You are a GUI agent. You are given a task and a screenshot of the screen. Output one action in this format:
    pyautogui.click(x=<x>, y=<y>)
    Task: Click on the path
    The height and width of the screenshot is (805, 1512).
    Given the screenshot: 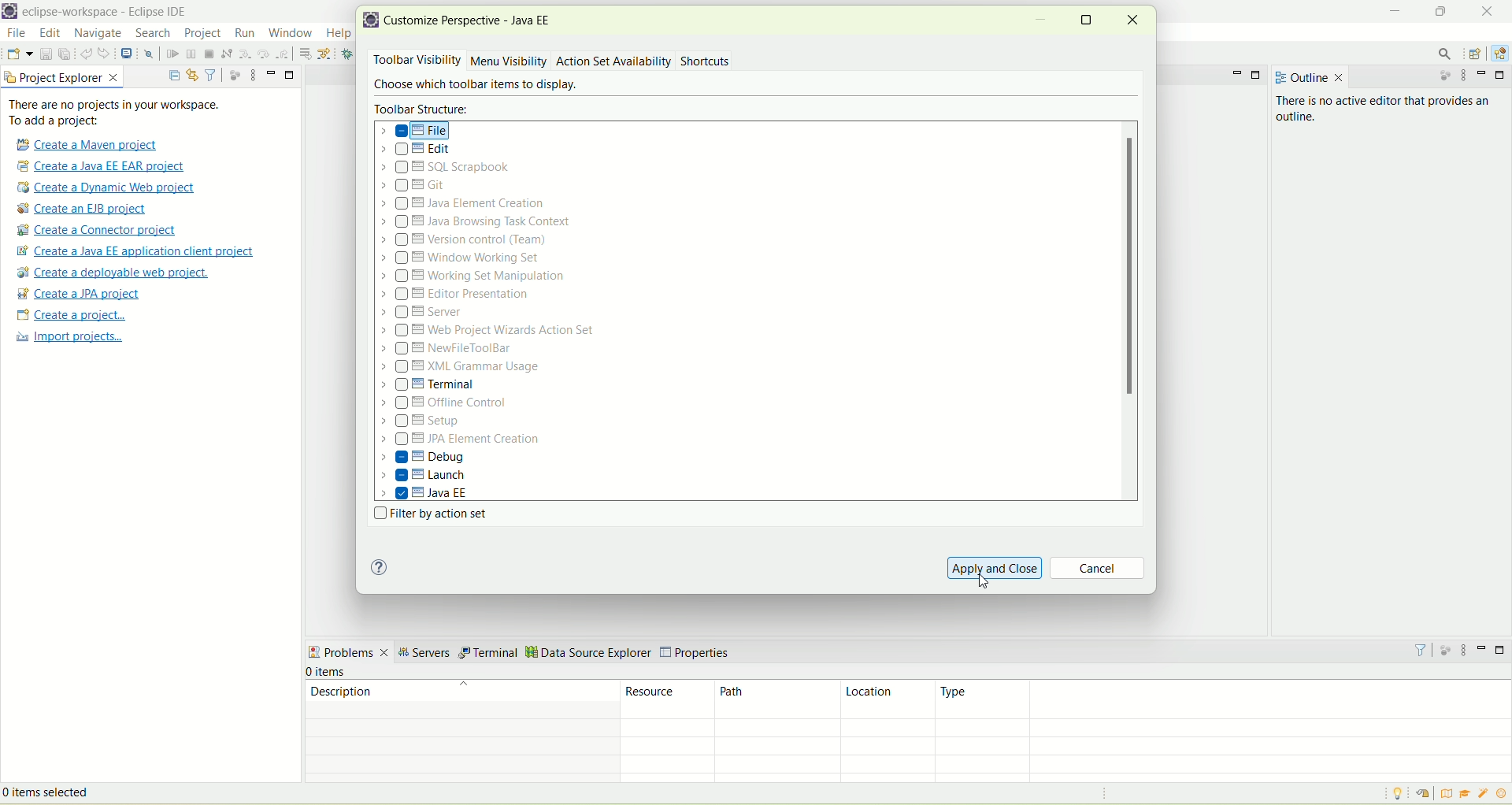 What is the action you would take?
    pyautogui.click(x=778, y=700)
    